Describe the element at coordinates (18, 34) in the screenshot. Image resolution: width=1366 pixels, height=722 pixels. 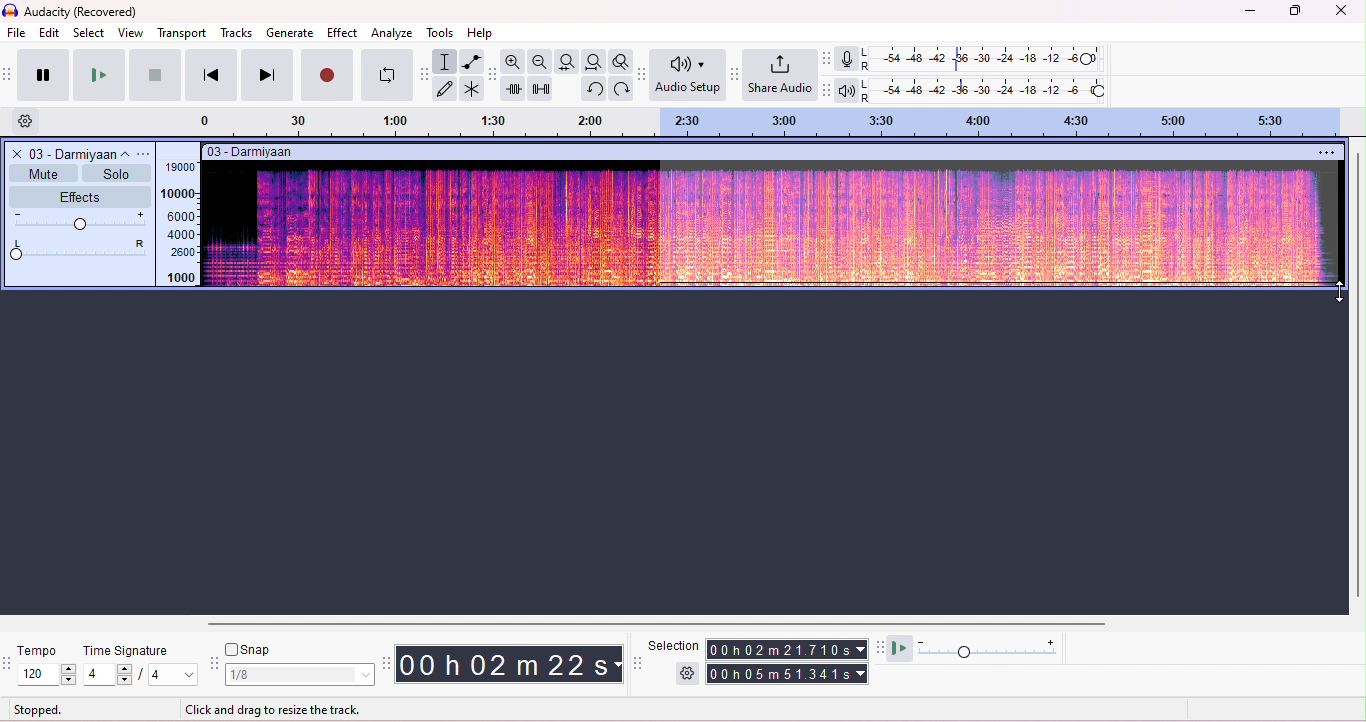
I see `file` at that location.